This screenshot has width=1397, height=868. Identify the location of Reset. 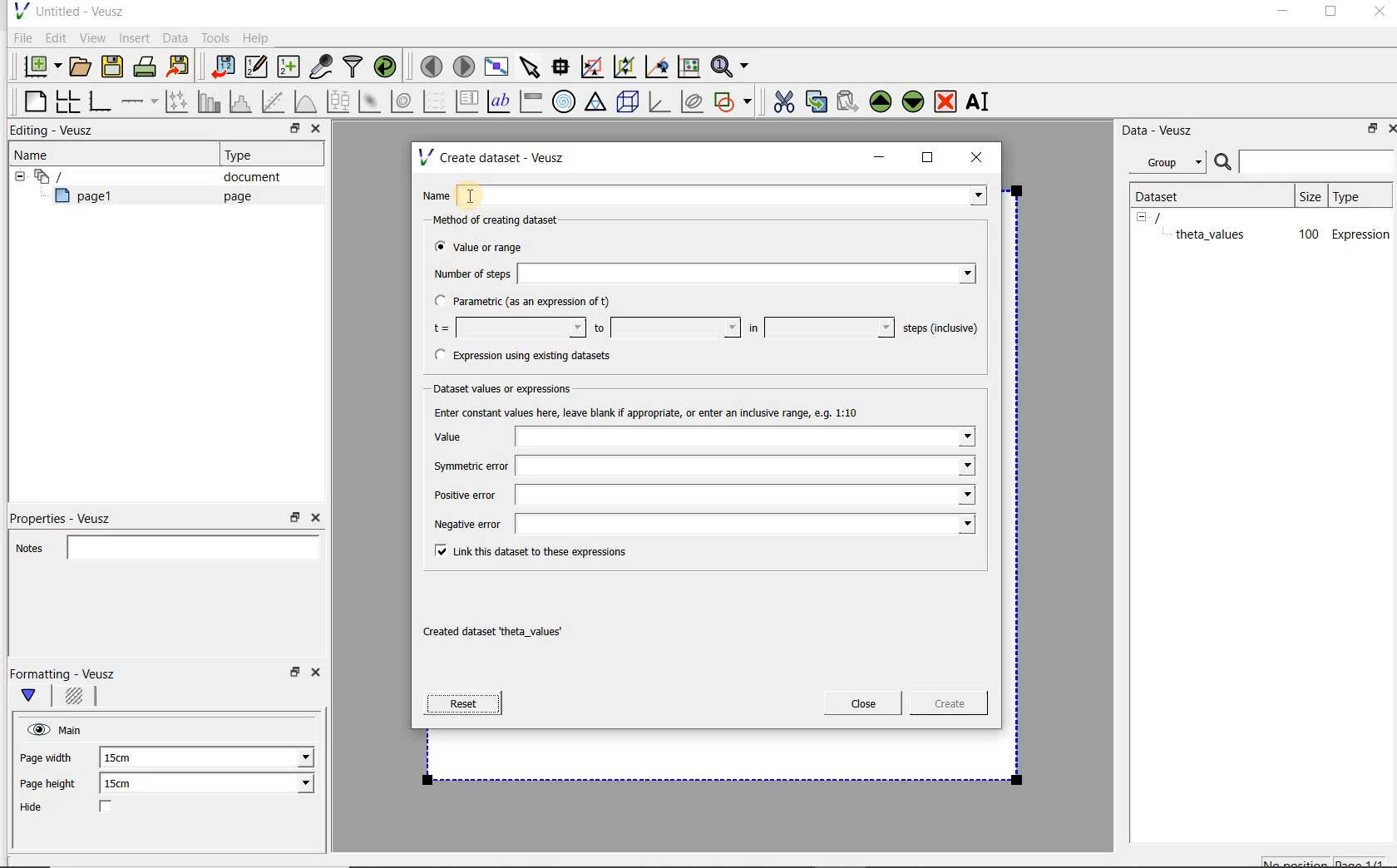
(462, 703).